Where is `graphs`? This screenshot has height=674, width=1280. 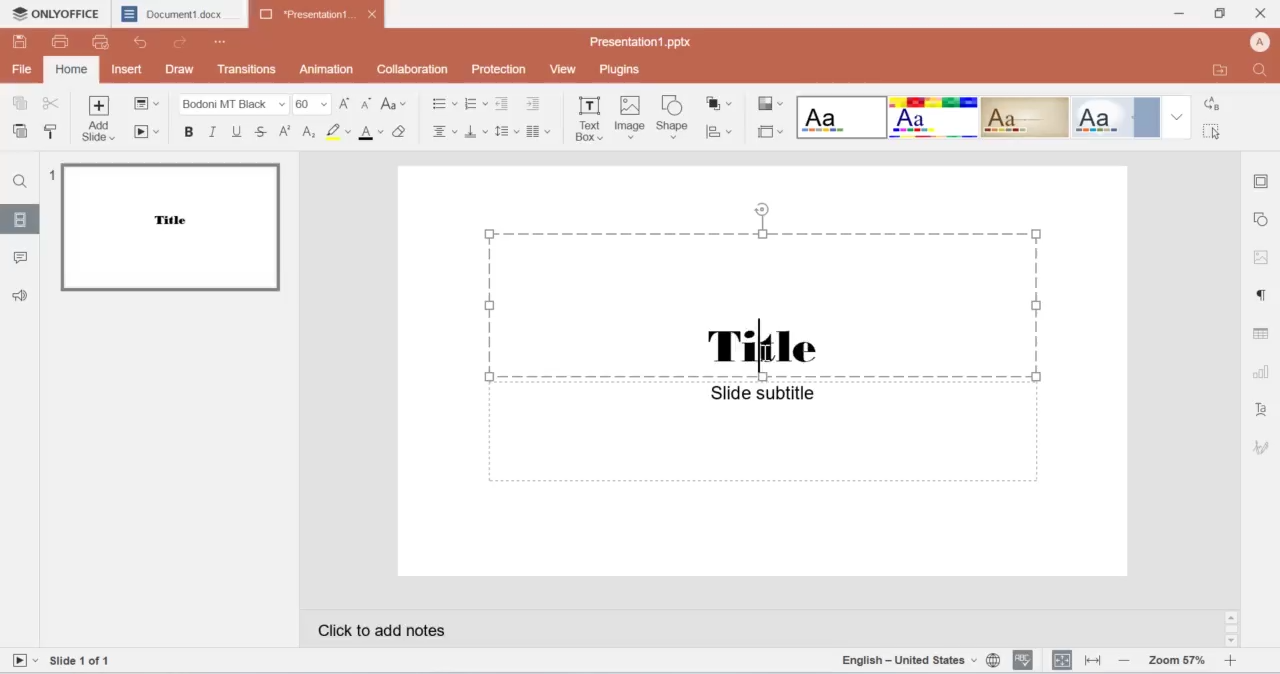 graphs is located at coordinates (722, 134).